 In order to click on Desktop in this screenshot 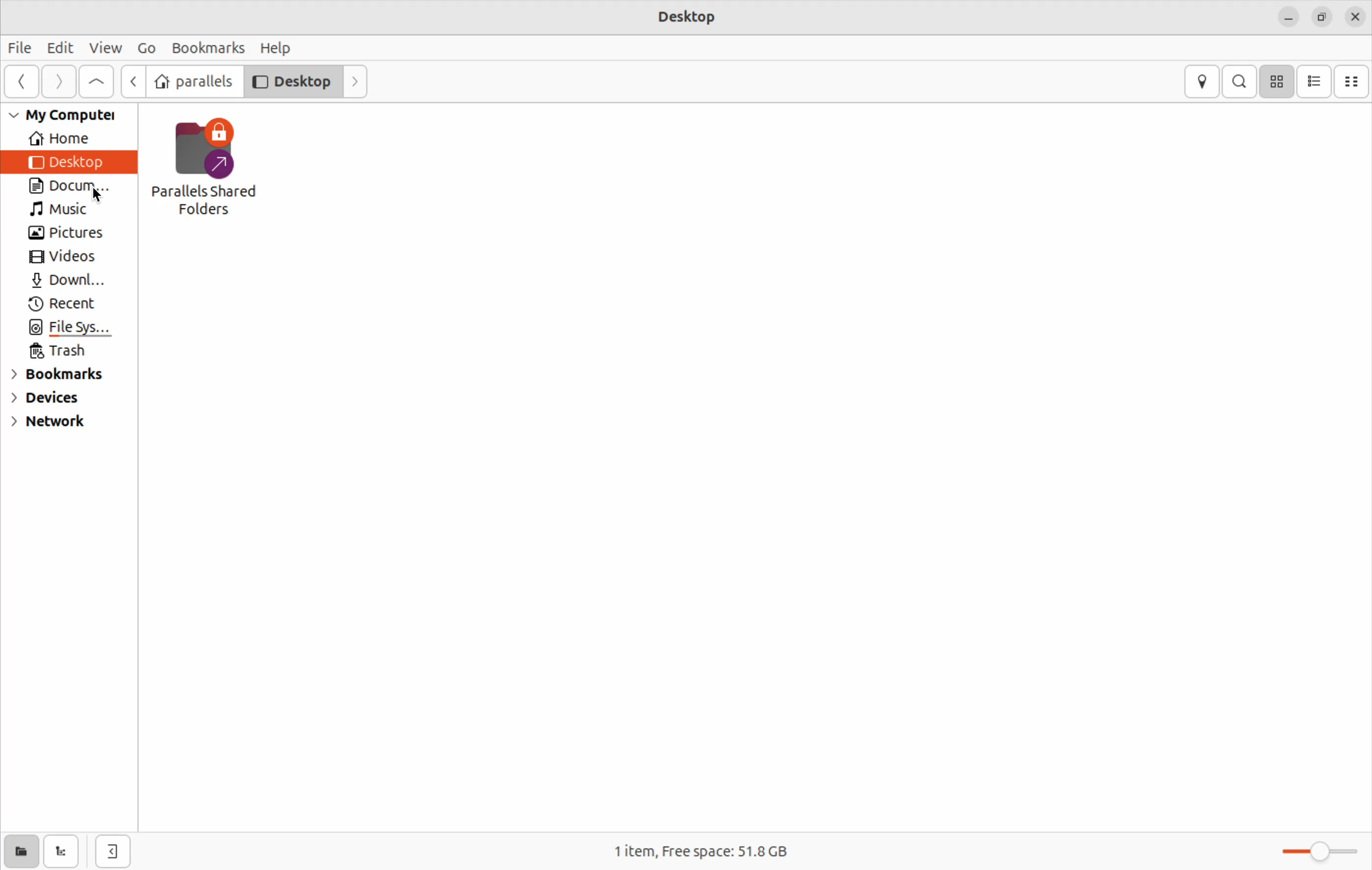, I will do `click(291, 80)`.